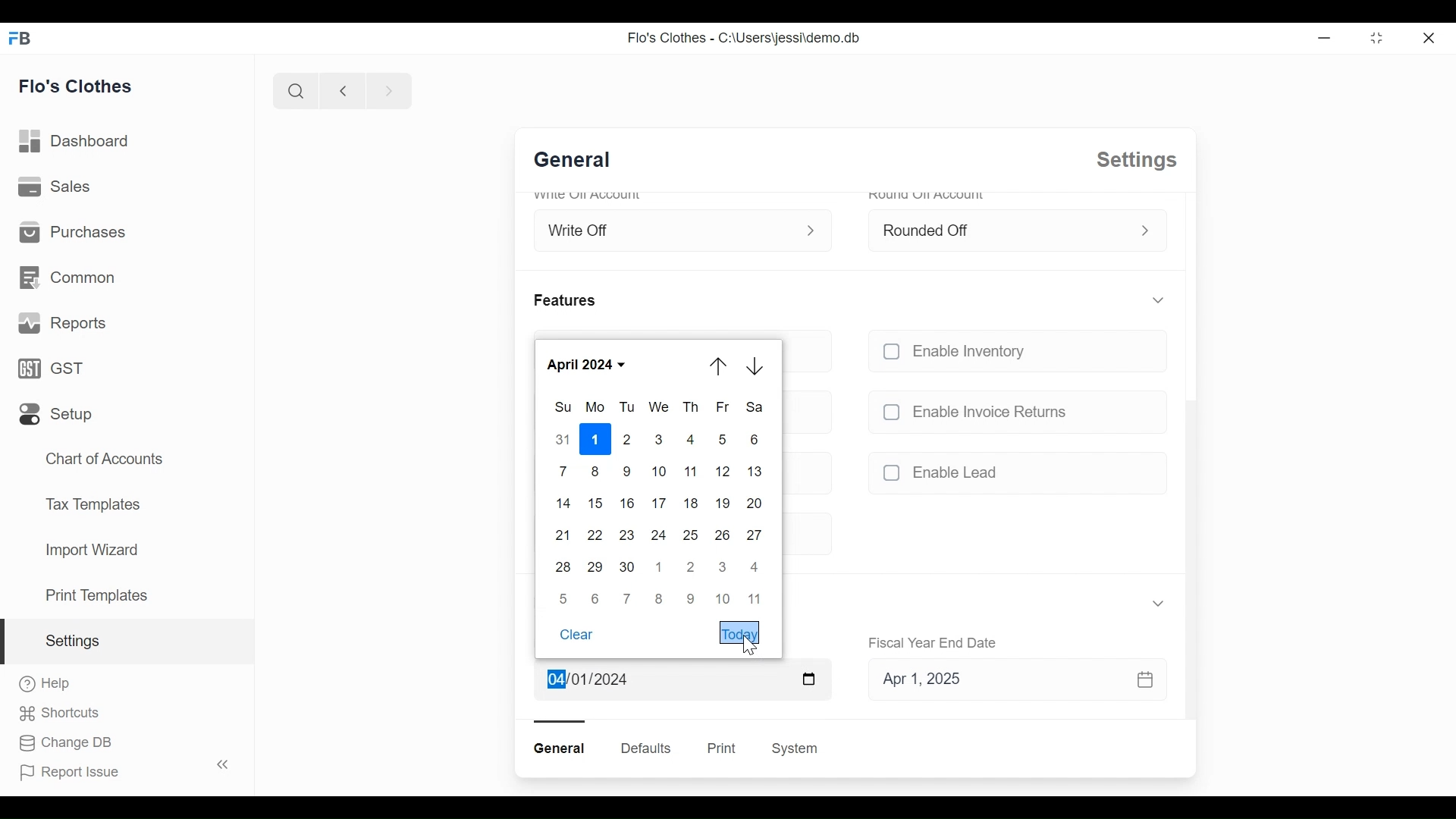 The image size is (1456, 819). I want to click on 14, so click(564, 503).